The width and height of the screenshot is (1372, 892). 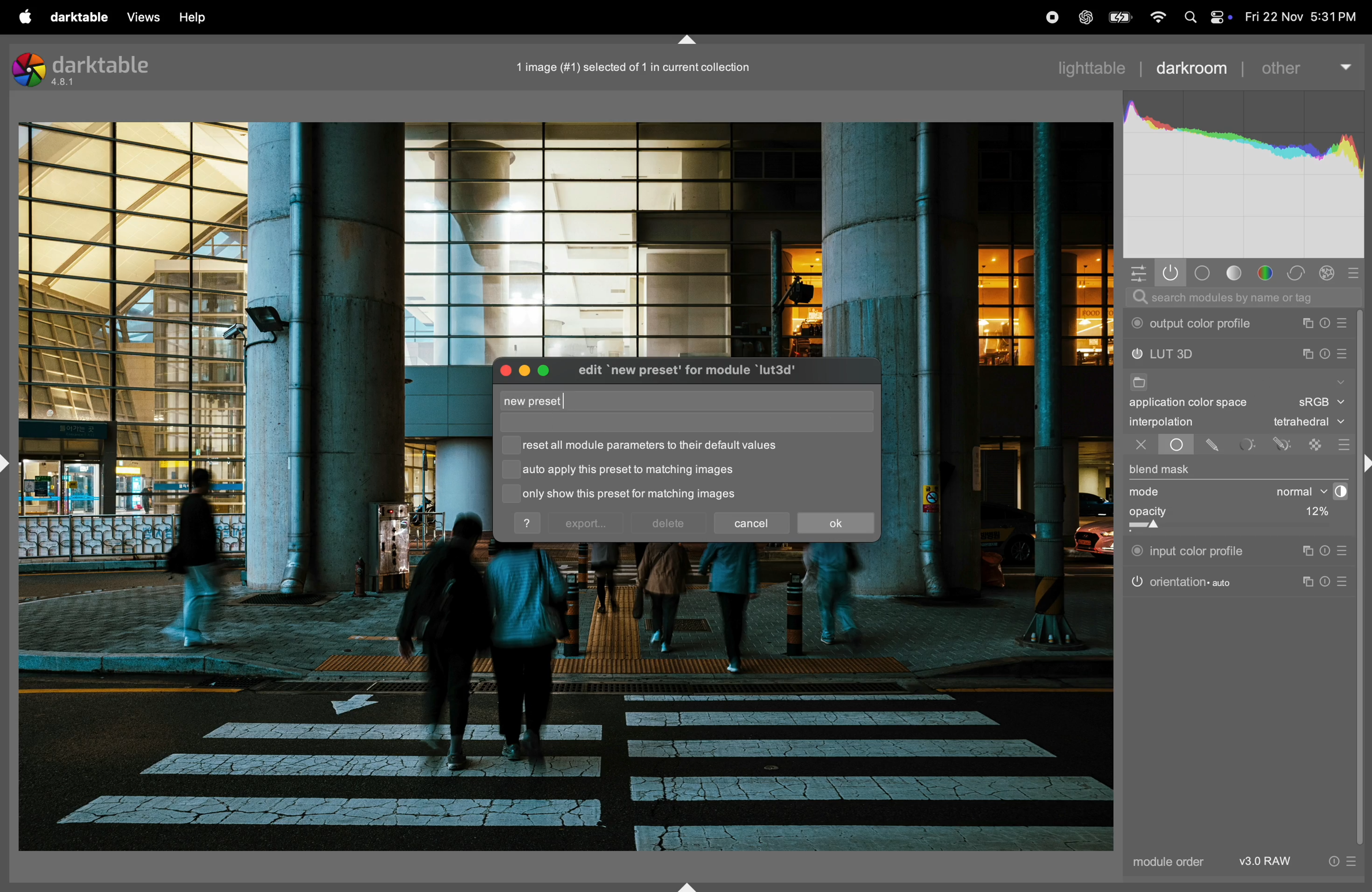 I want to click on reset all default values, so click(x=657, y=446).